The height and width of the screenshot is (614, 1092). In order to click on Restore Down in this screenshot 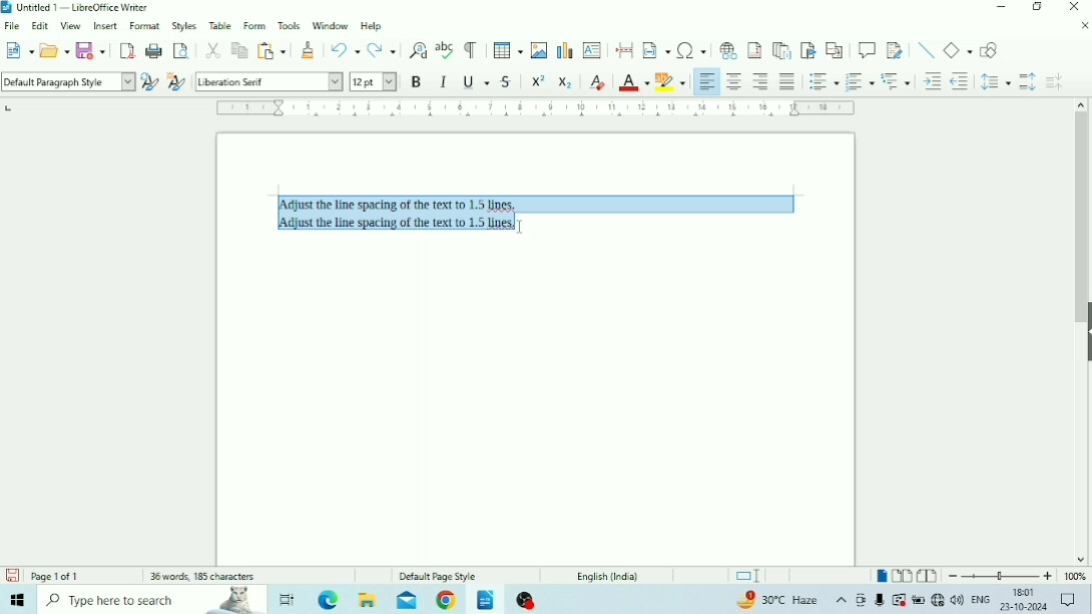, I will do `click(1037, 7)`.